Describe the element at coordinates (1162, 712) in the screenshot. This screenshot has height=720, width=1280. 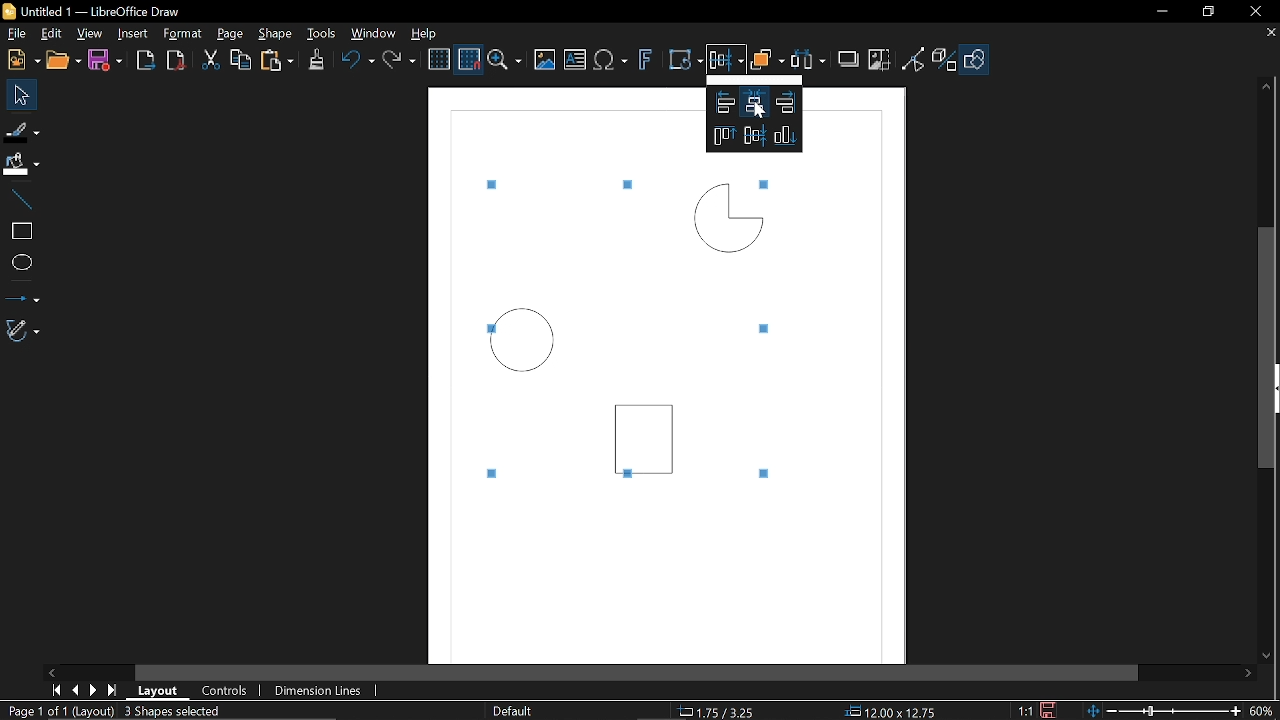
I see `Change zoom` at that location.